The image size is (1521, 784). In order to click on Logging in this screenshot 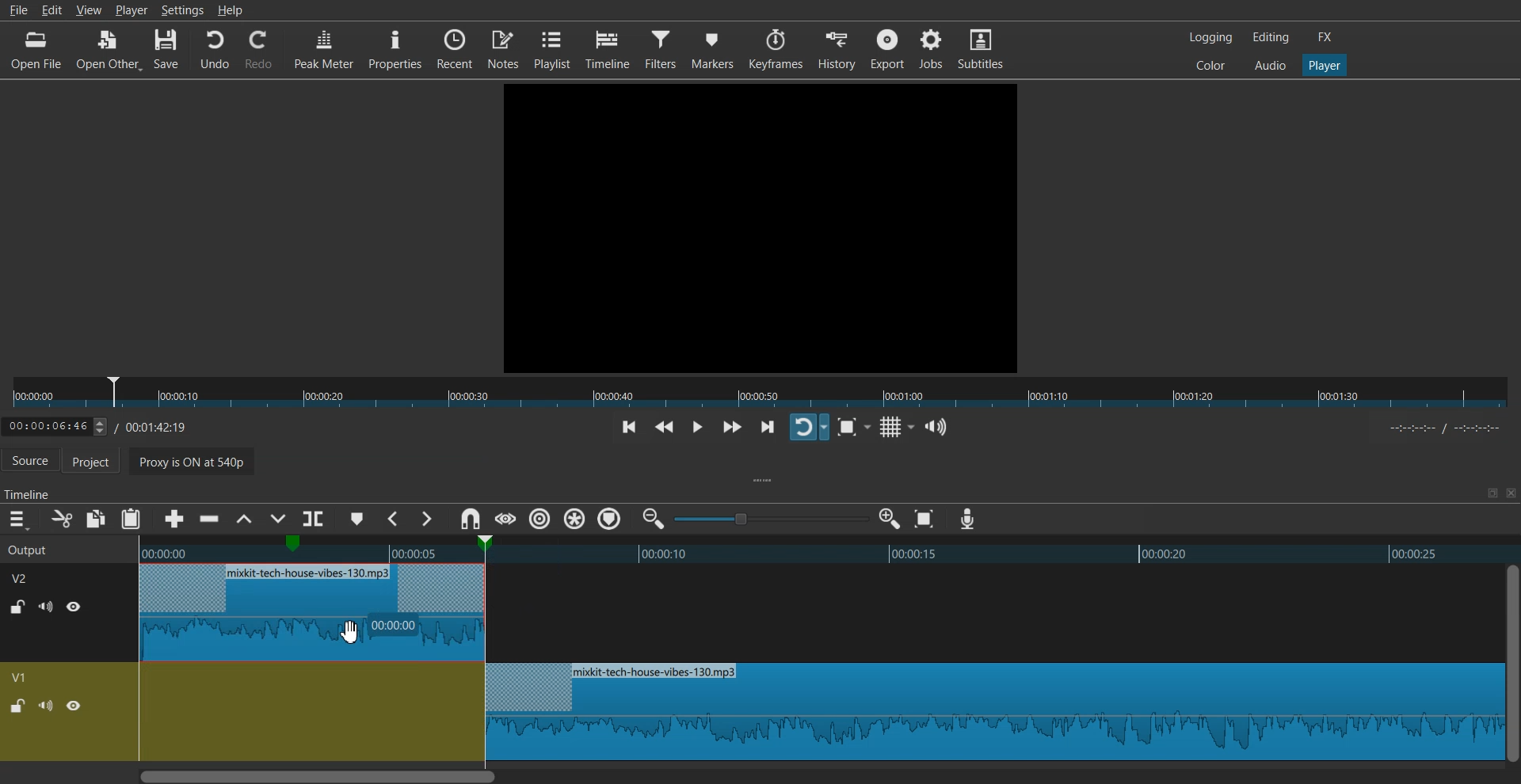, I will do `click(1211, 37)`.